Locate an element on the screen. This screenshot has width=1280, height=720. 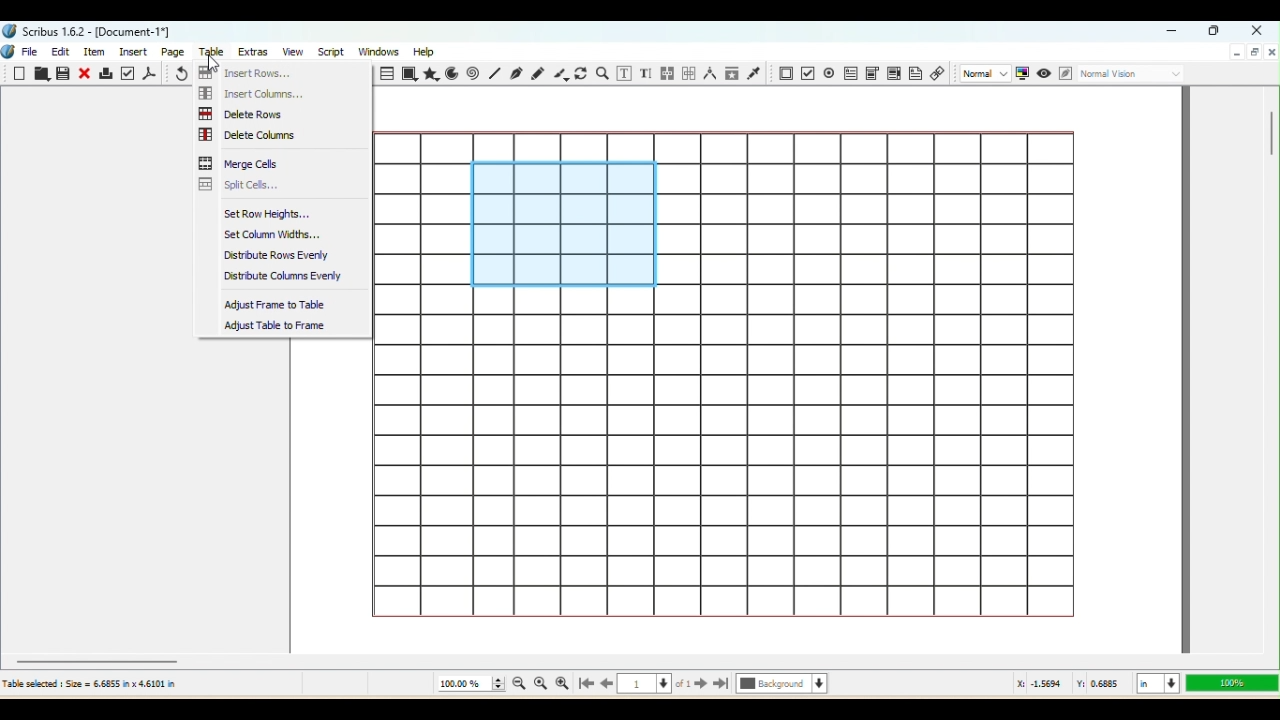
Arc is located at coordinates (454, 73).